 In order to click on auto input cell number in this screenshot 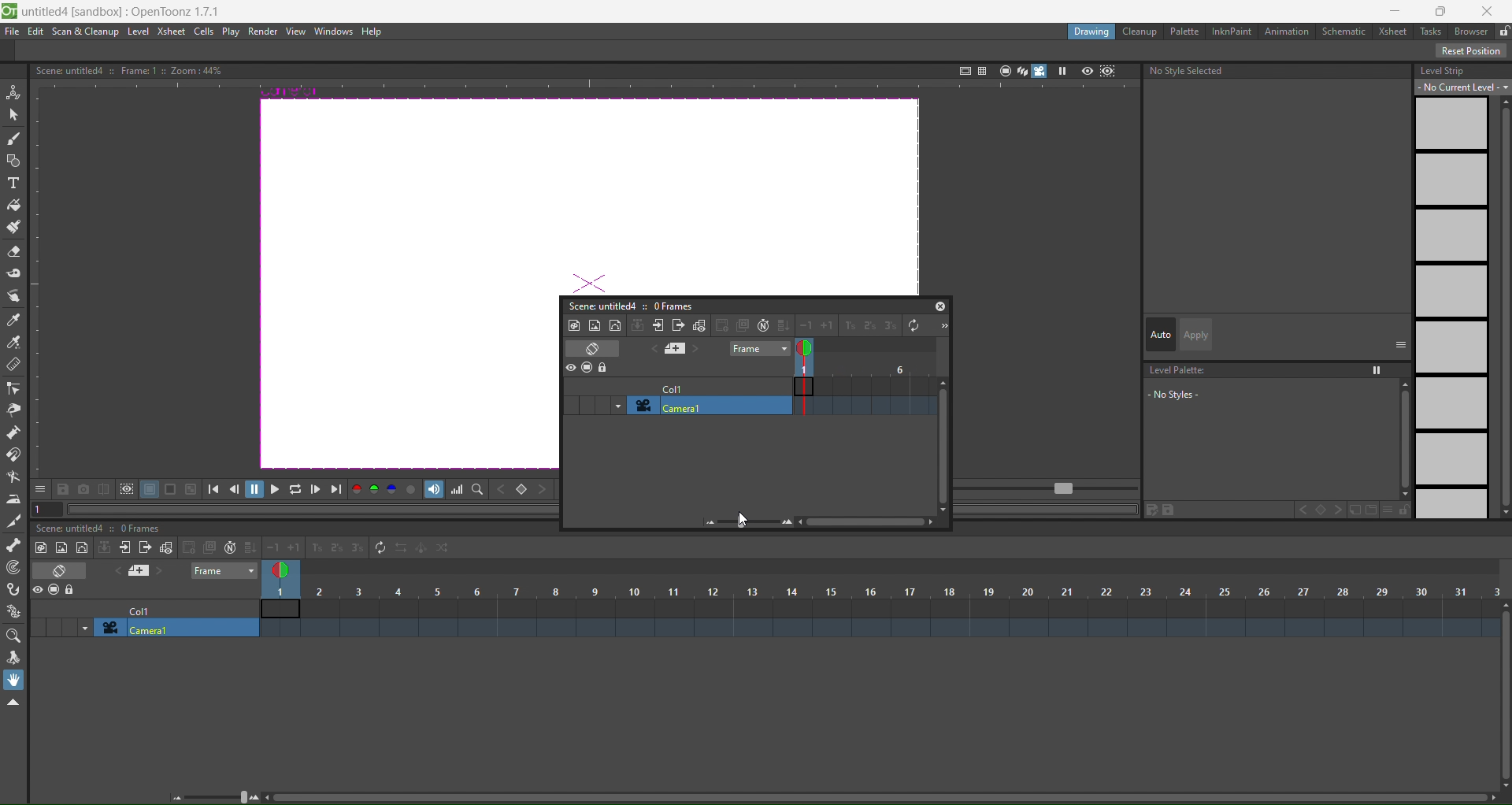, I will do `click(227, 548)`.